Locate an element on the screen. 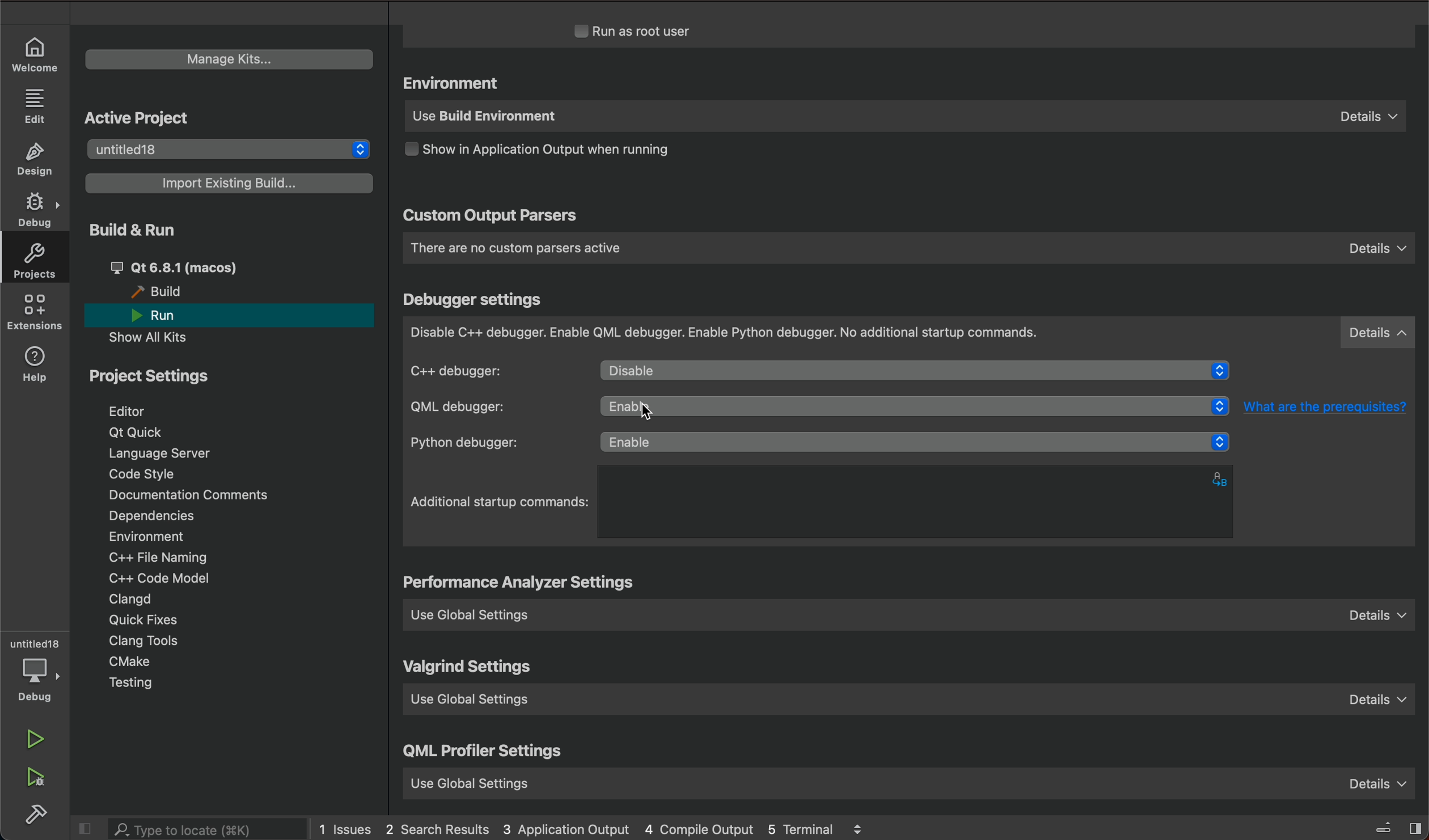 The image size is (1429, 840). clangd is located at coordinates (132, 600).